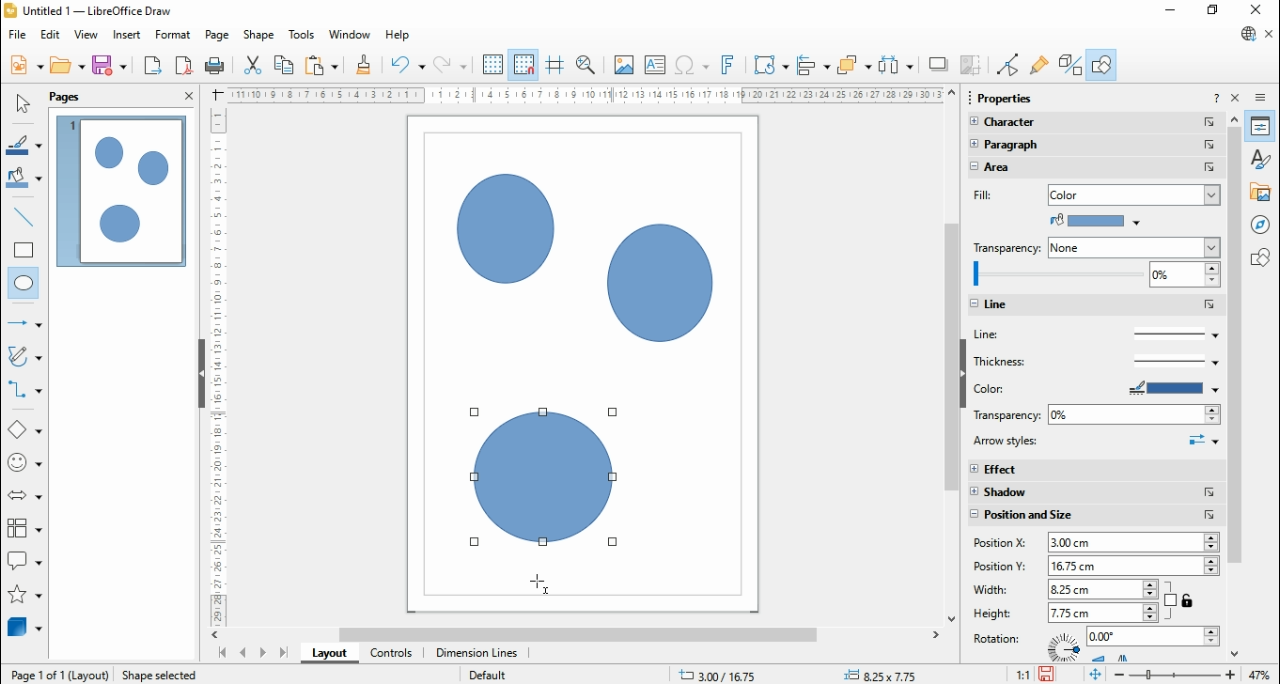 This screenshot has height=684, width=1280. Describe the element at coordinates (123, 191) in the screenshot. I see `page 1` at that location.